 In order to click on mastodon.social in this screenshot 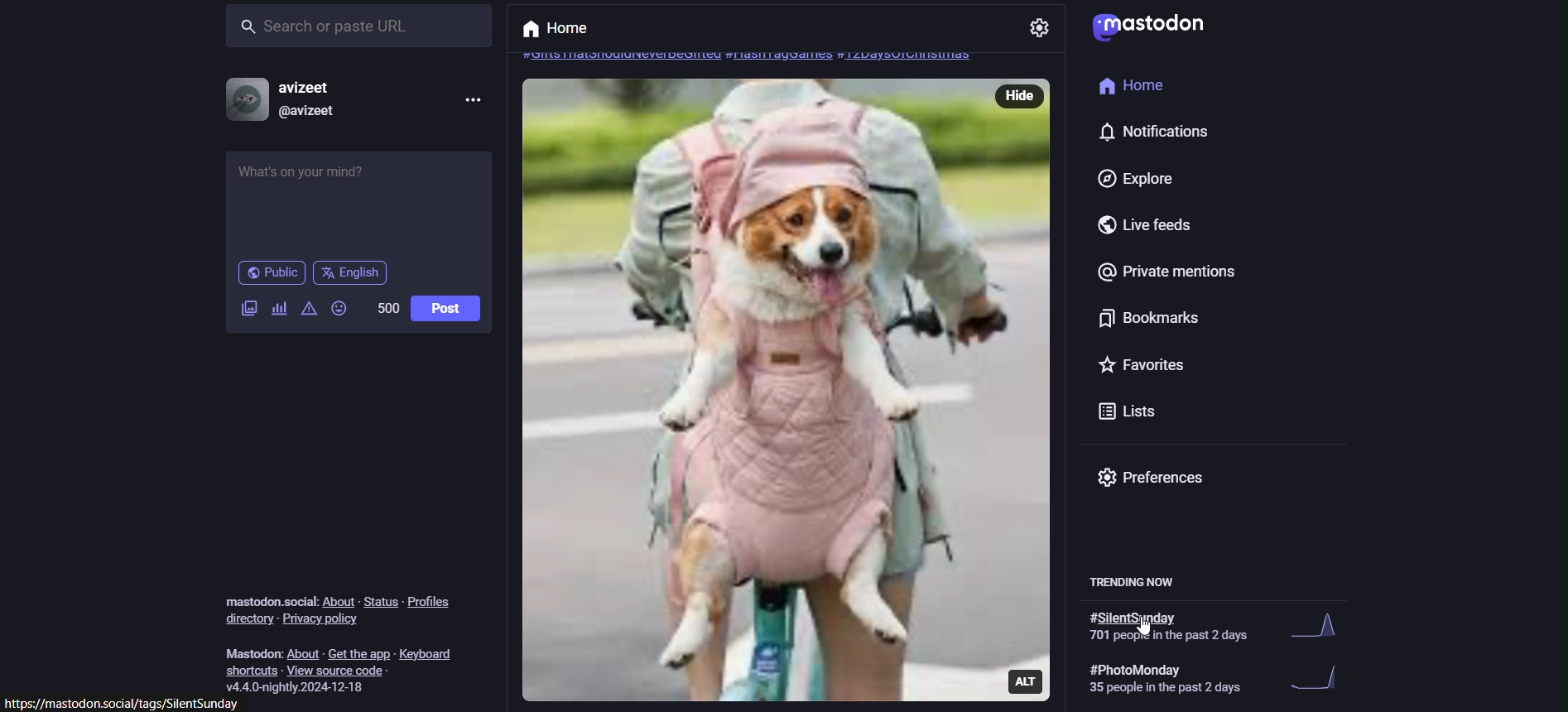, I will do `click(266, 599)`.